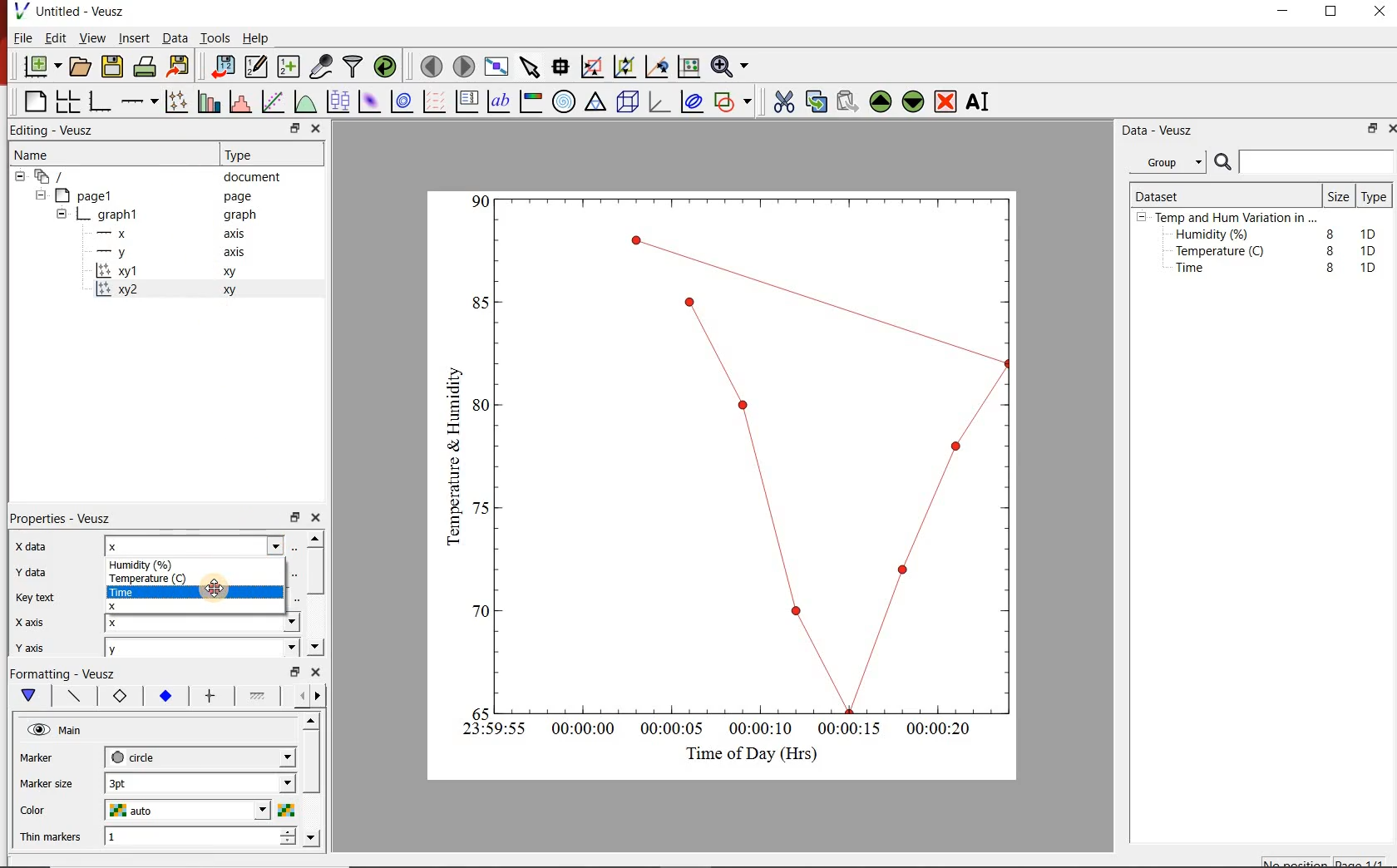 This screenshot has height=868, width=1397. Describe the element at coordinates (1368, 267) in the screenshot. I see `1D` at that location.